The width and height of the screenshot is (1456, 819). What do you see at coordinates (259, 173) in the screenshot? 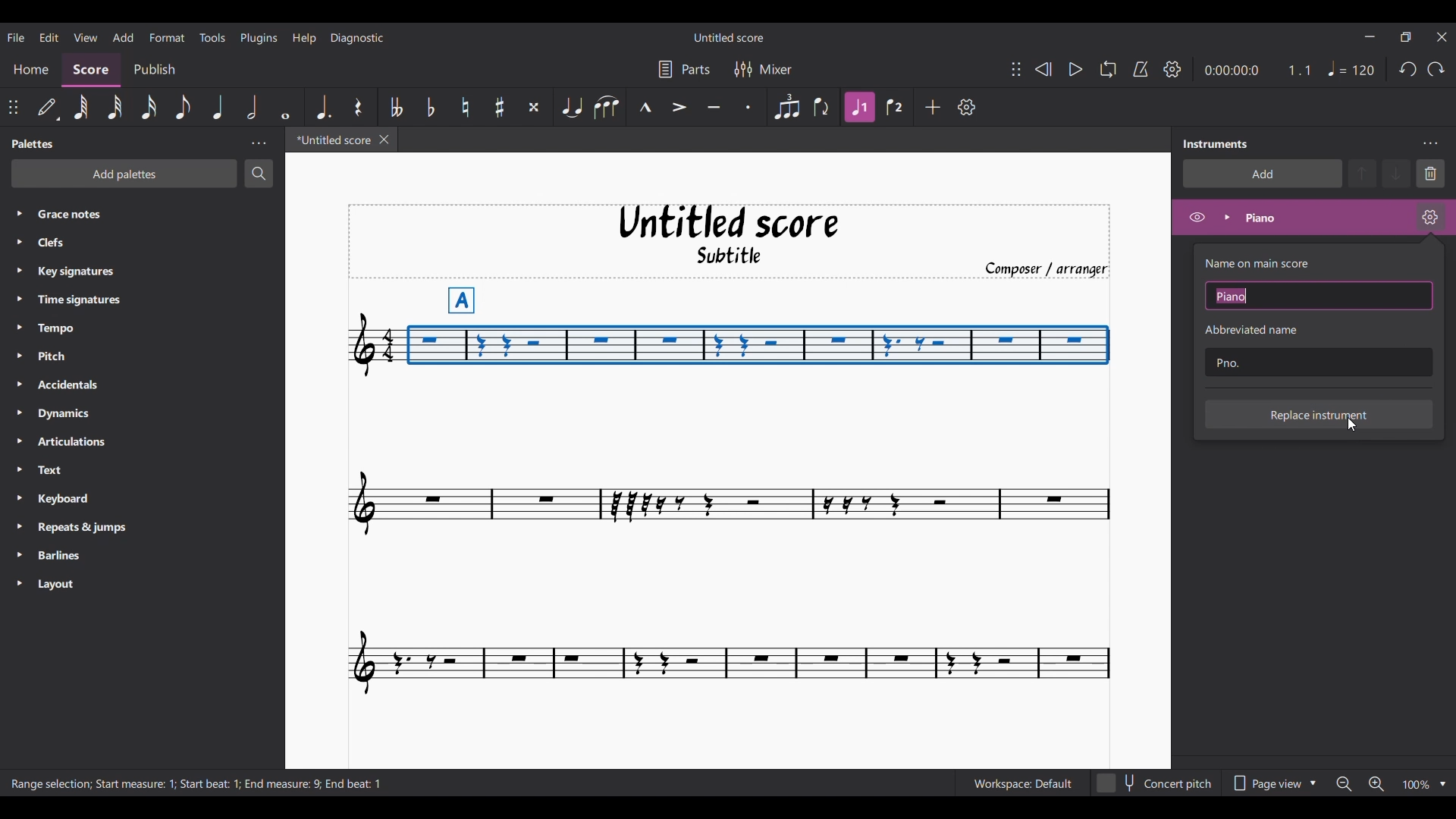
I see `Search` at bounding box center [259, 173].